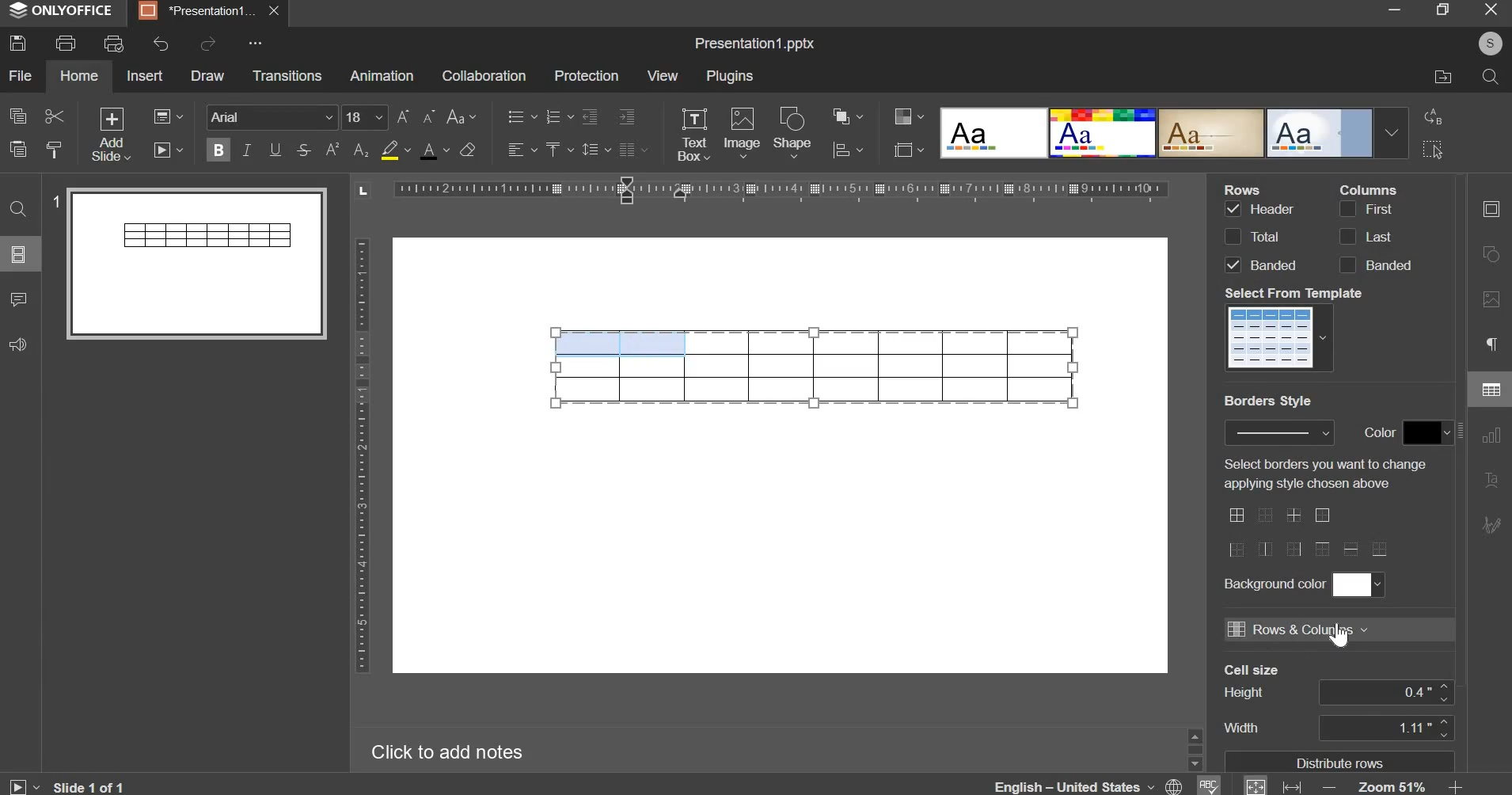  Describe the element at coordinates (161, 44) in the screenshot. I see `undo` at that location.